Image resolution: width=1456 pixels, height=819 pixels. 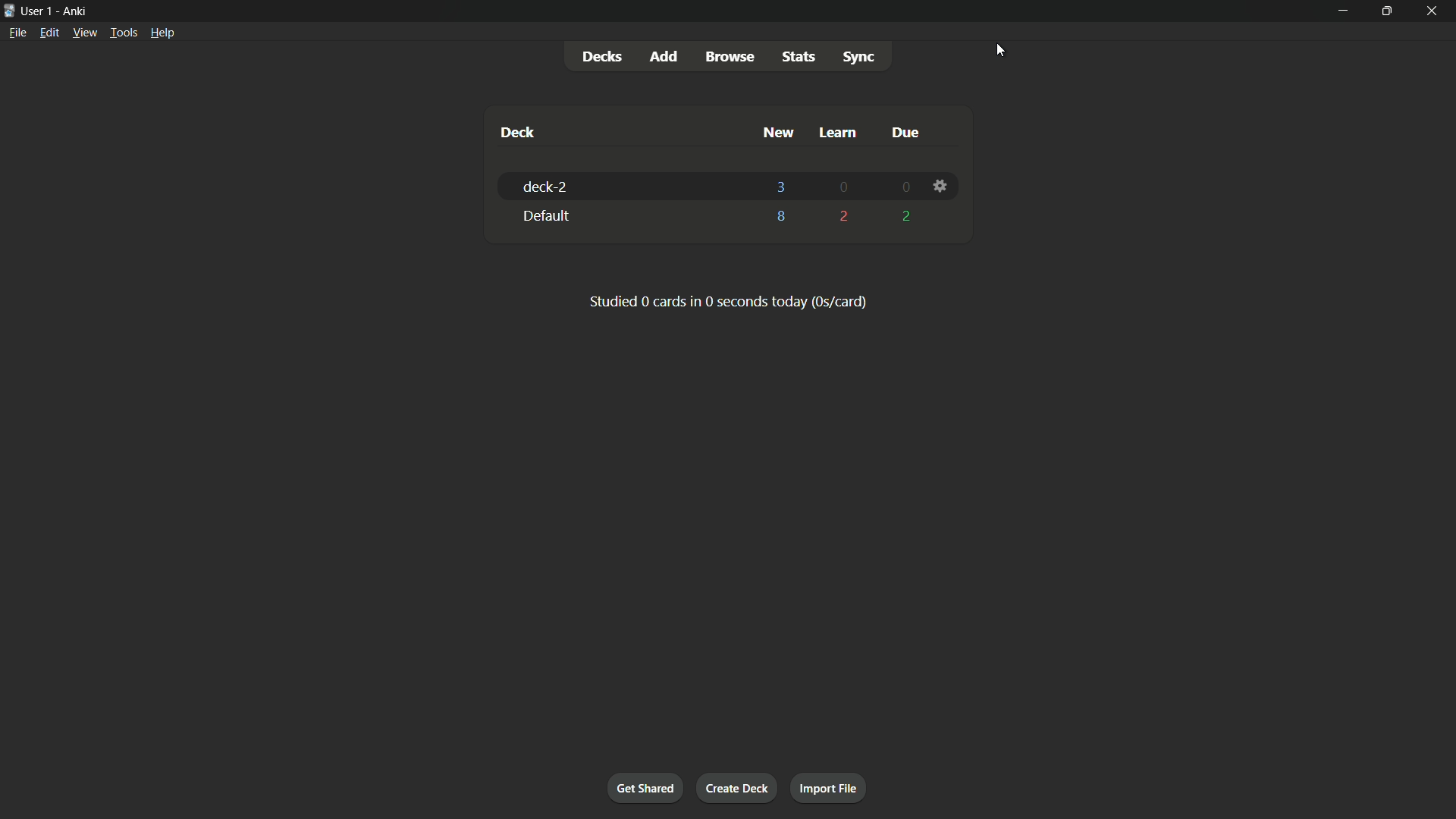 What do you see at coordinates (829, 789) in the screenshot?
I see `import file` at bounding box center [829, 789].